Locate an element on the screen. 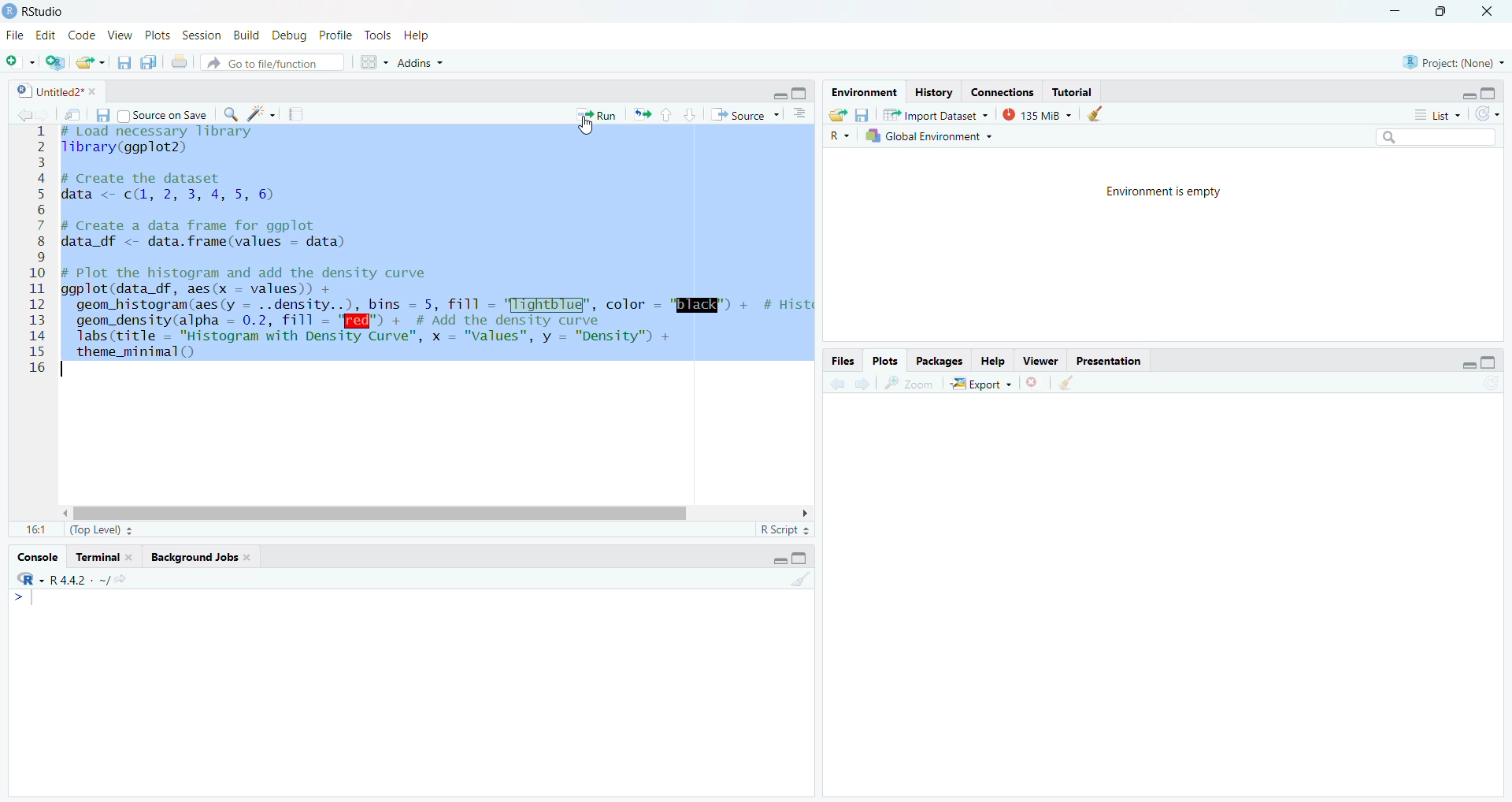  save current document is located at coordinates (102, 113).